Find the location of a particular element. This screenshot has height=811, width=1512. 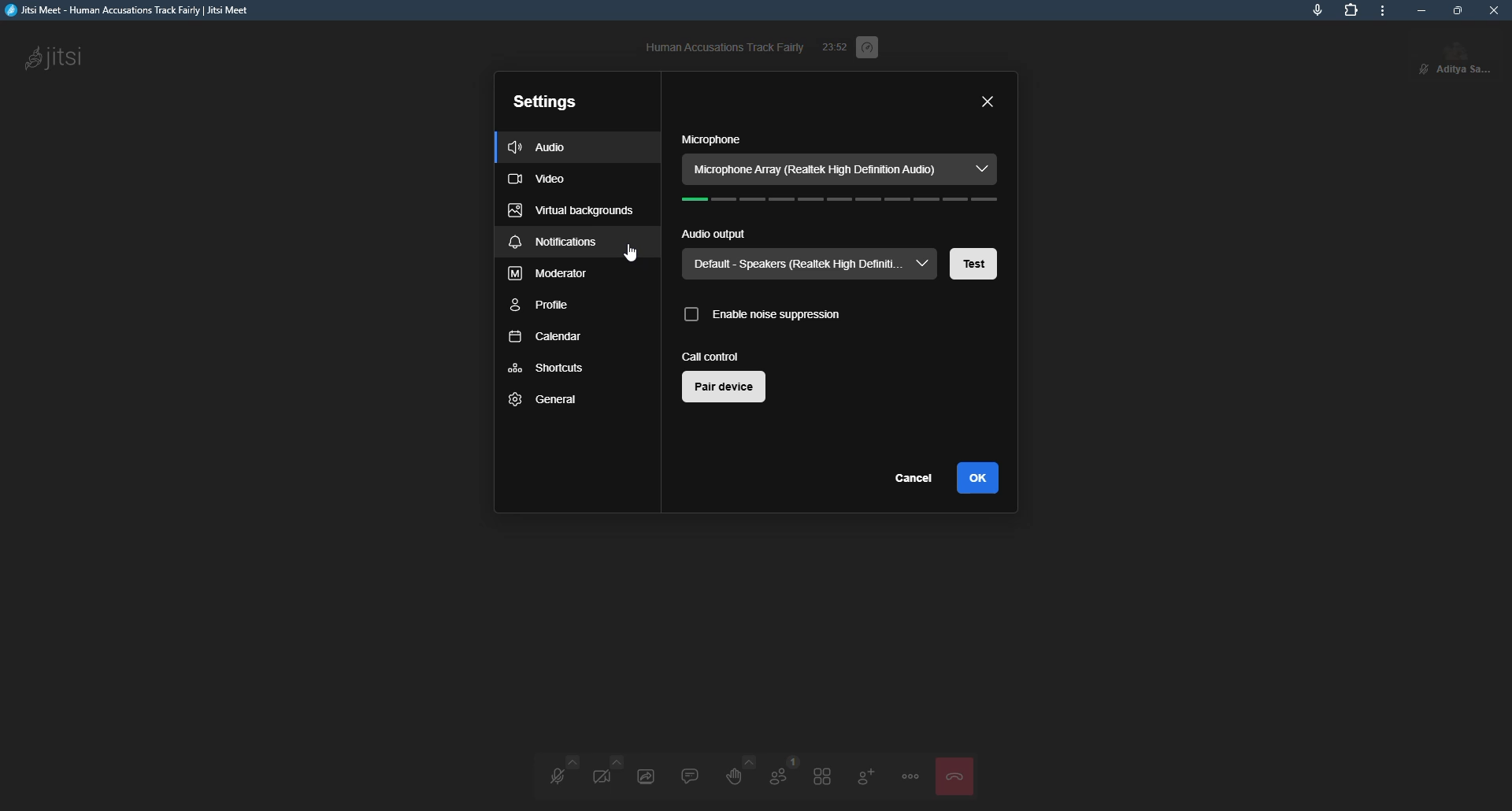

pair device is located at coordinates (726, 387).